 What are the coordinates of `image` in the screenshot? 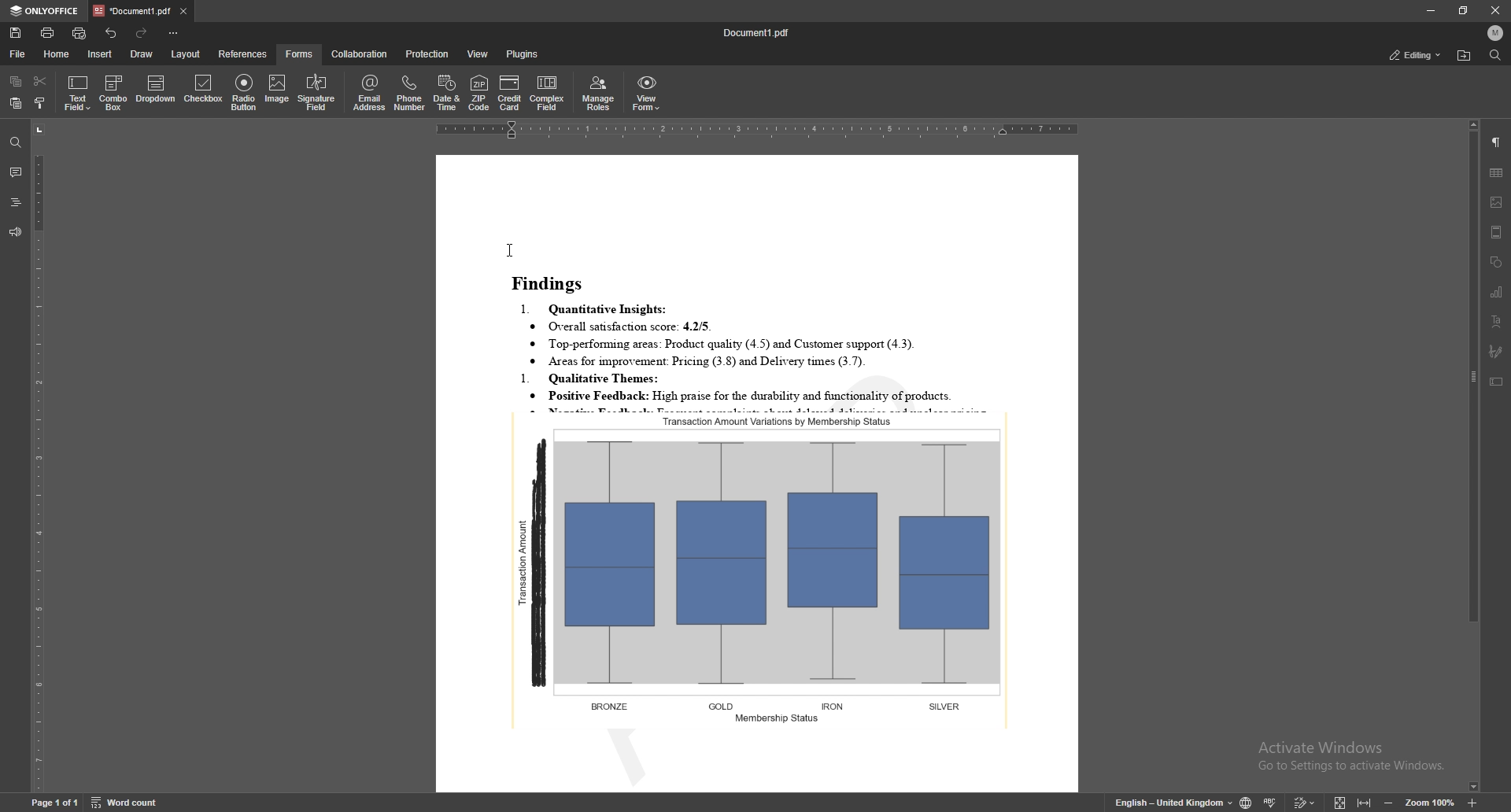 It's located at (279, 90).